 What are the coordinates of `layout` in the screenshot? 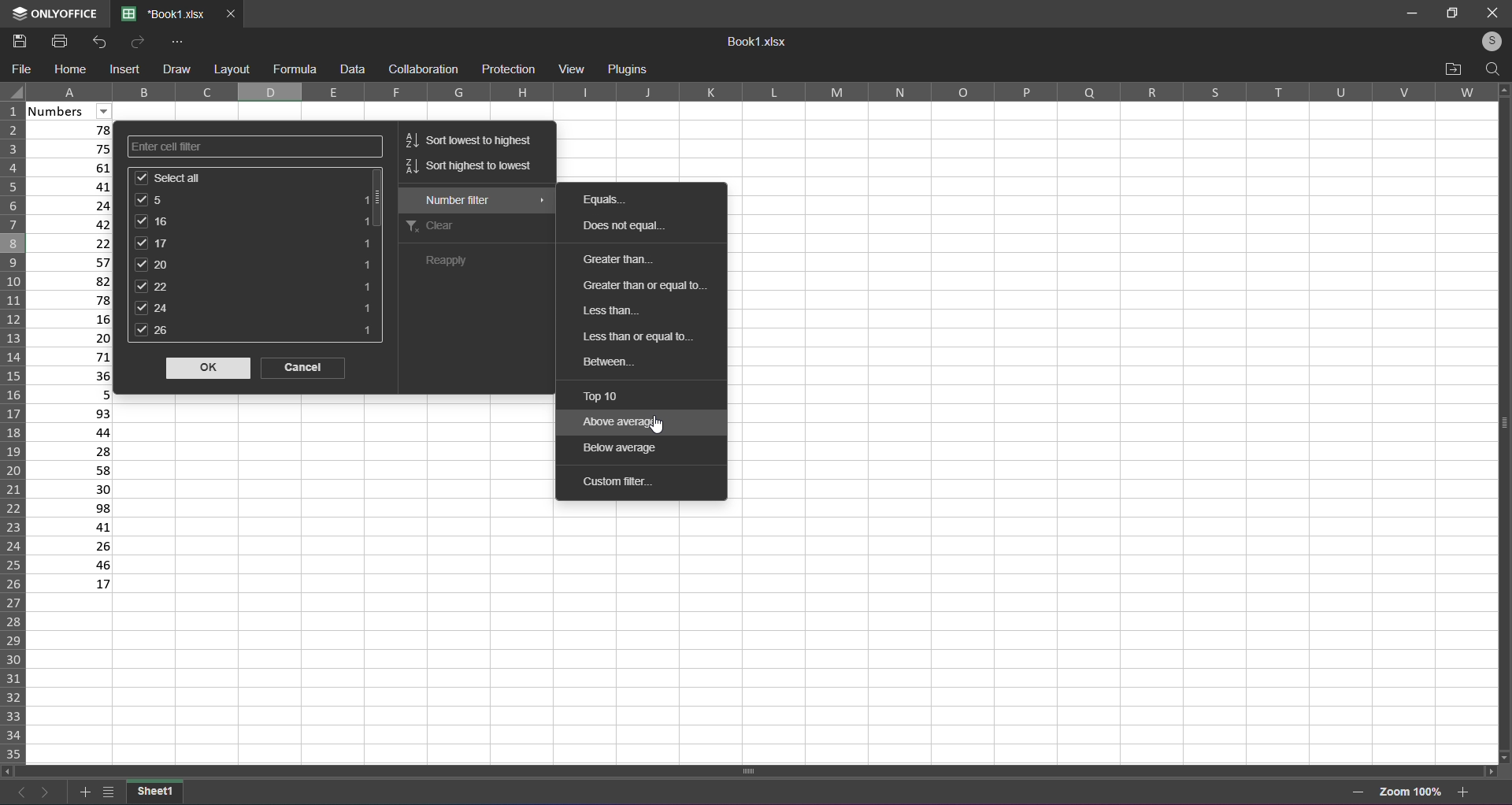 It's located at (231, 69).